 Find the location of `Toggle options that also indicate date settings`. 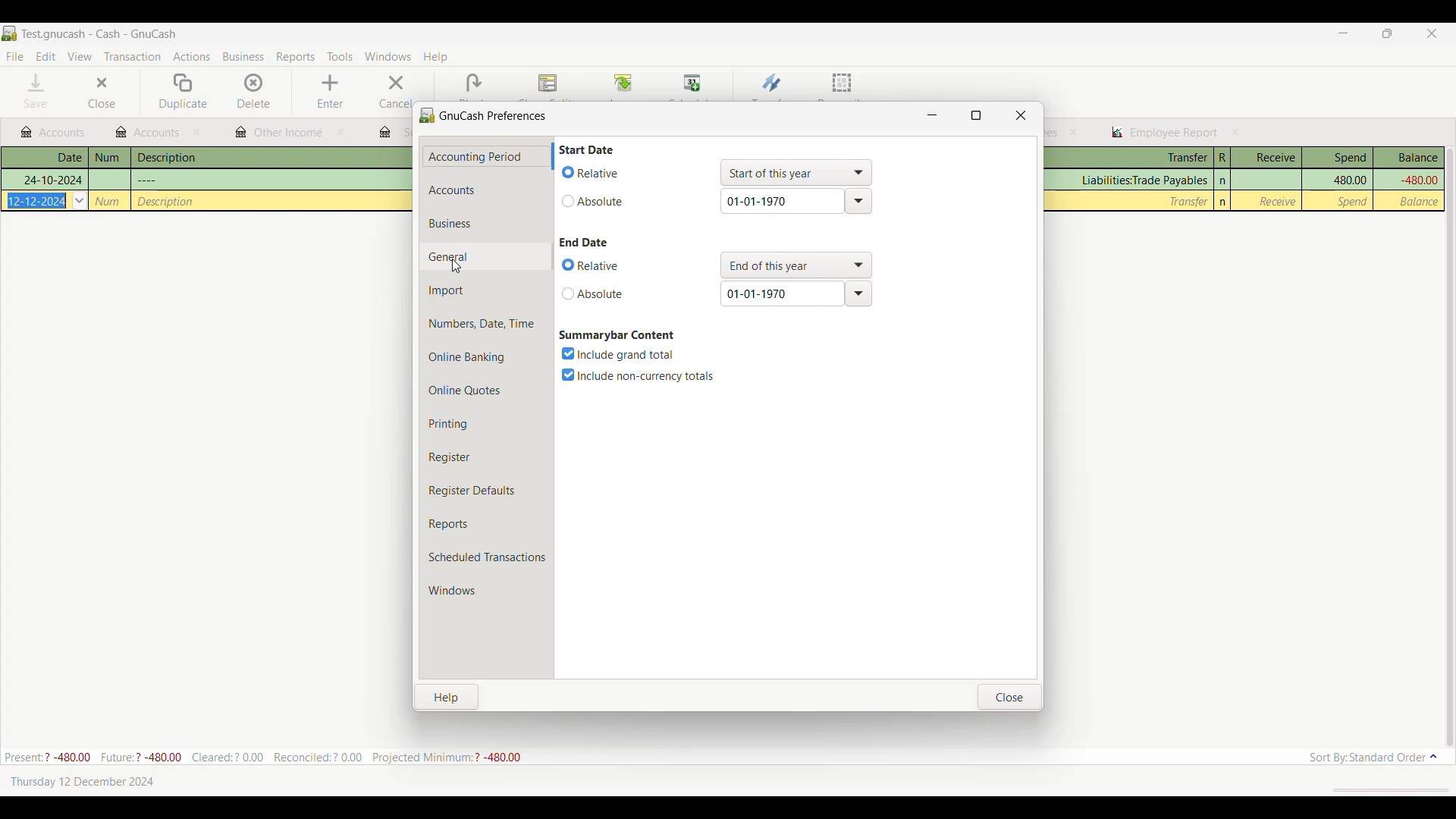

Toggle options that also indicate date settings is located at coordinates (592, 266).